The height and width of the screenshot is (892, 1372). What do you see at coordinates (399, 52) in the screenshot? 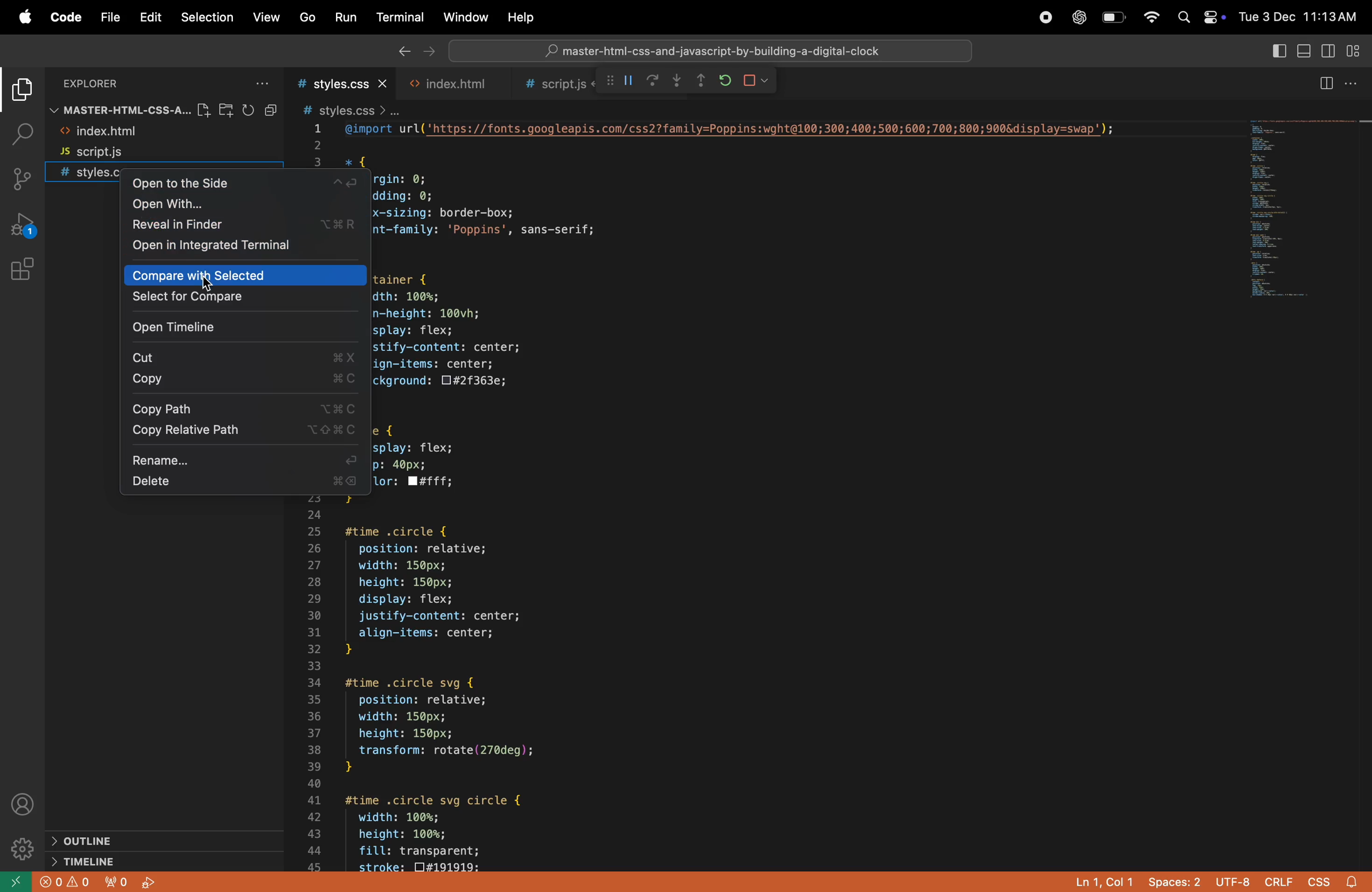
I see `back ward` at bounding box center [399, 52].